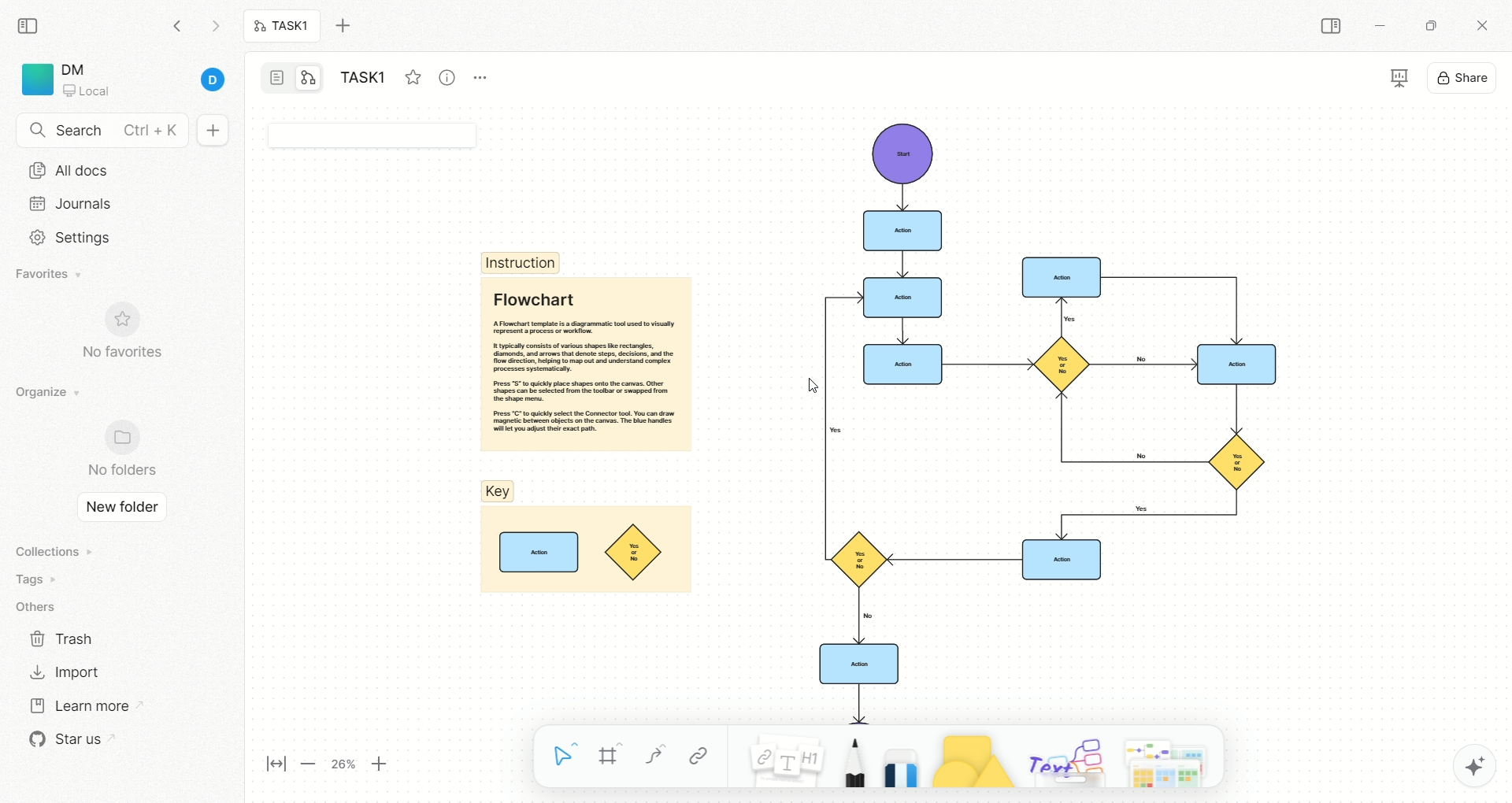 This screenshot has width=1512, height=803. What do you see at coordinates (74, 203) in the screenshot?
I see `journals` at bounding box center [74, 203].